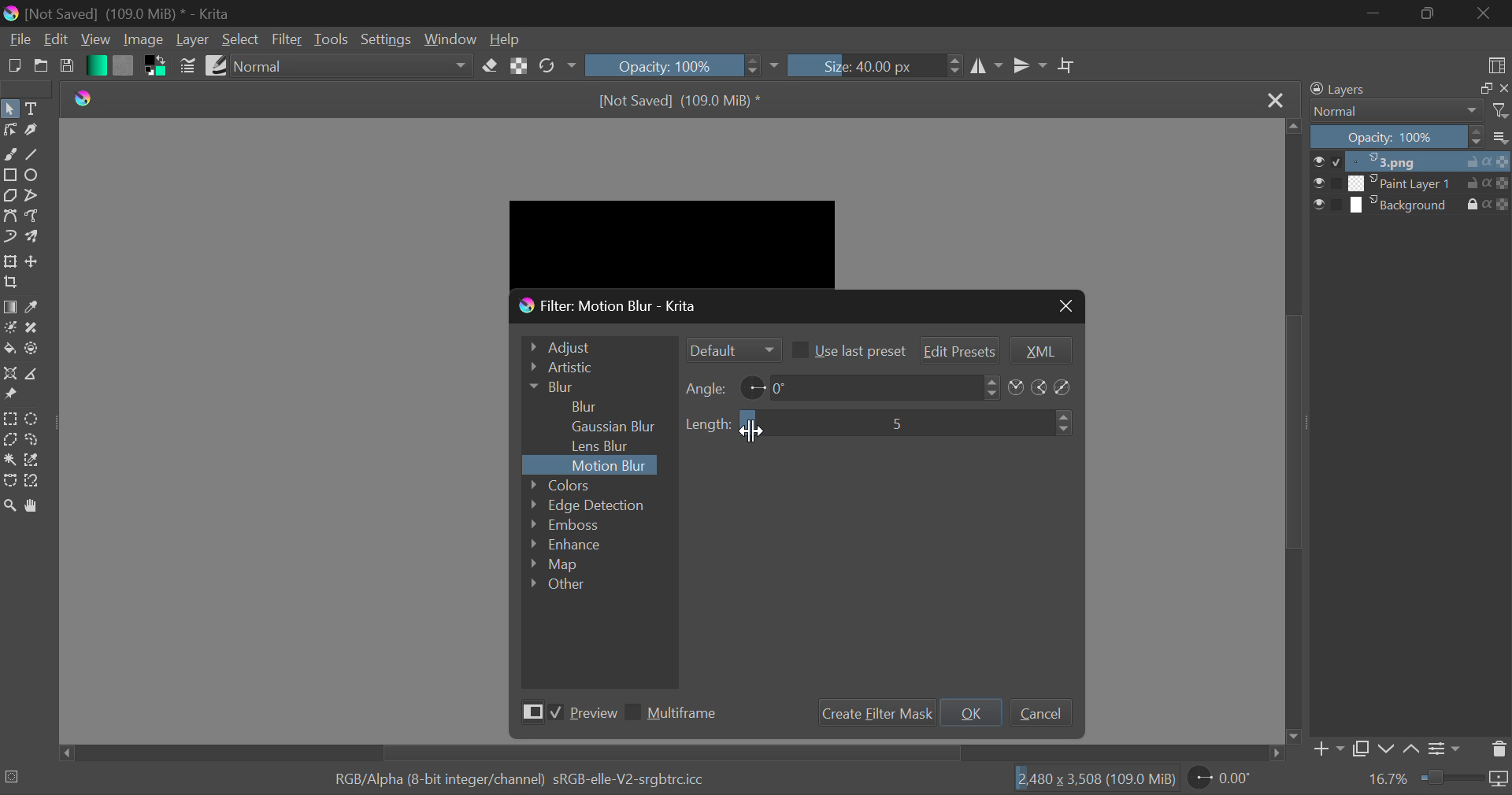  I want to click on View, so click(94, 39).